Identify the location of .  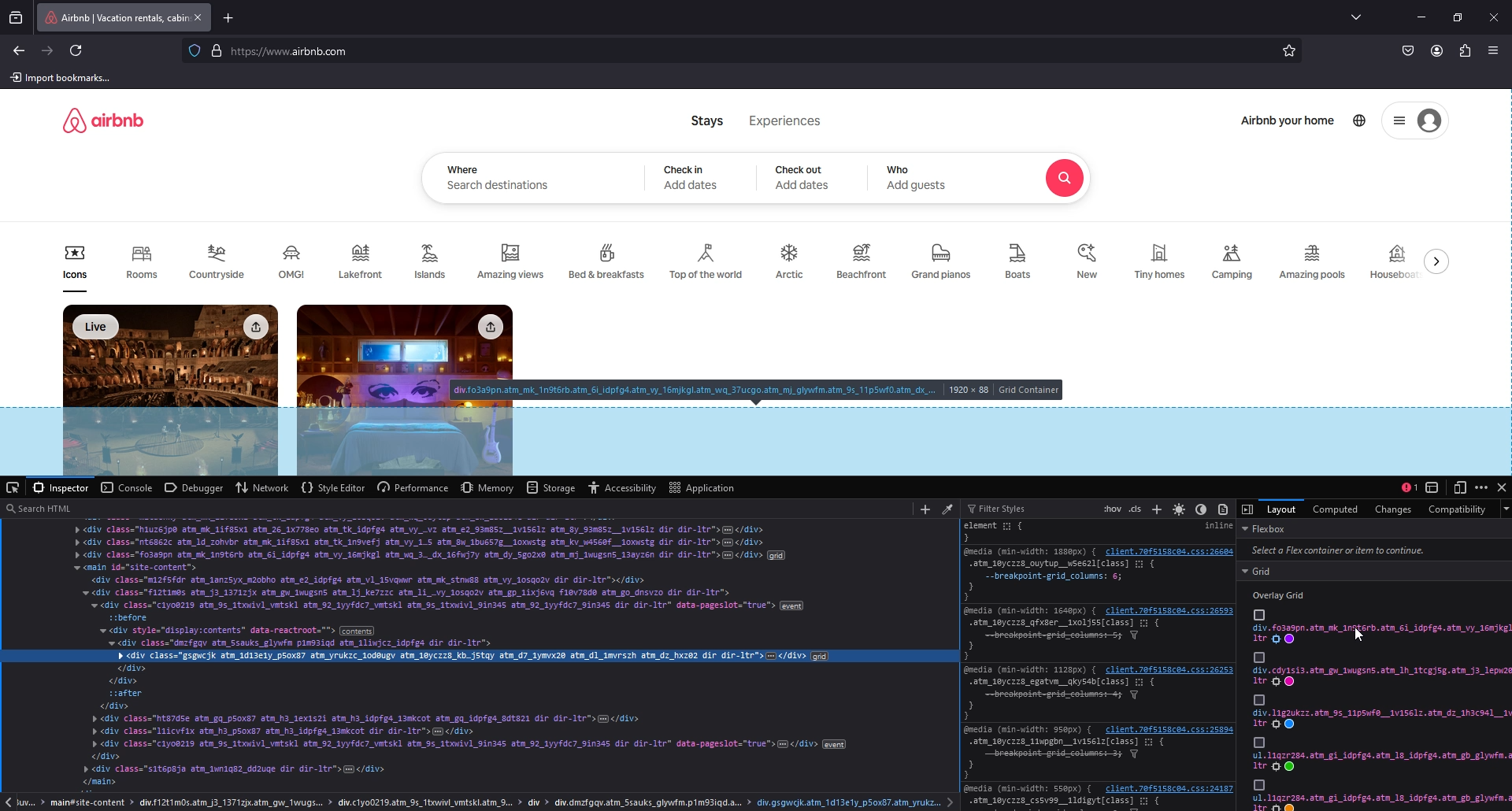
(1258, 699).